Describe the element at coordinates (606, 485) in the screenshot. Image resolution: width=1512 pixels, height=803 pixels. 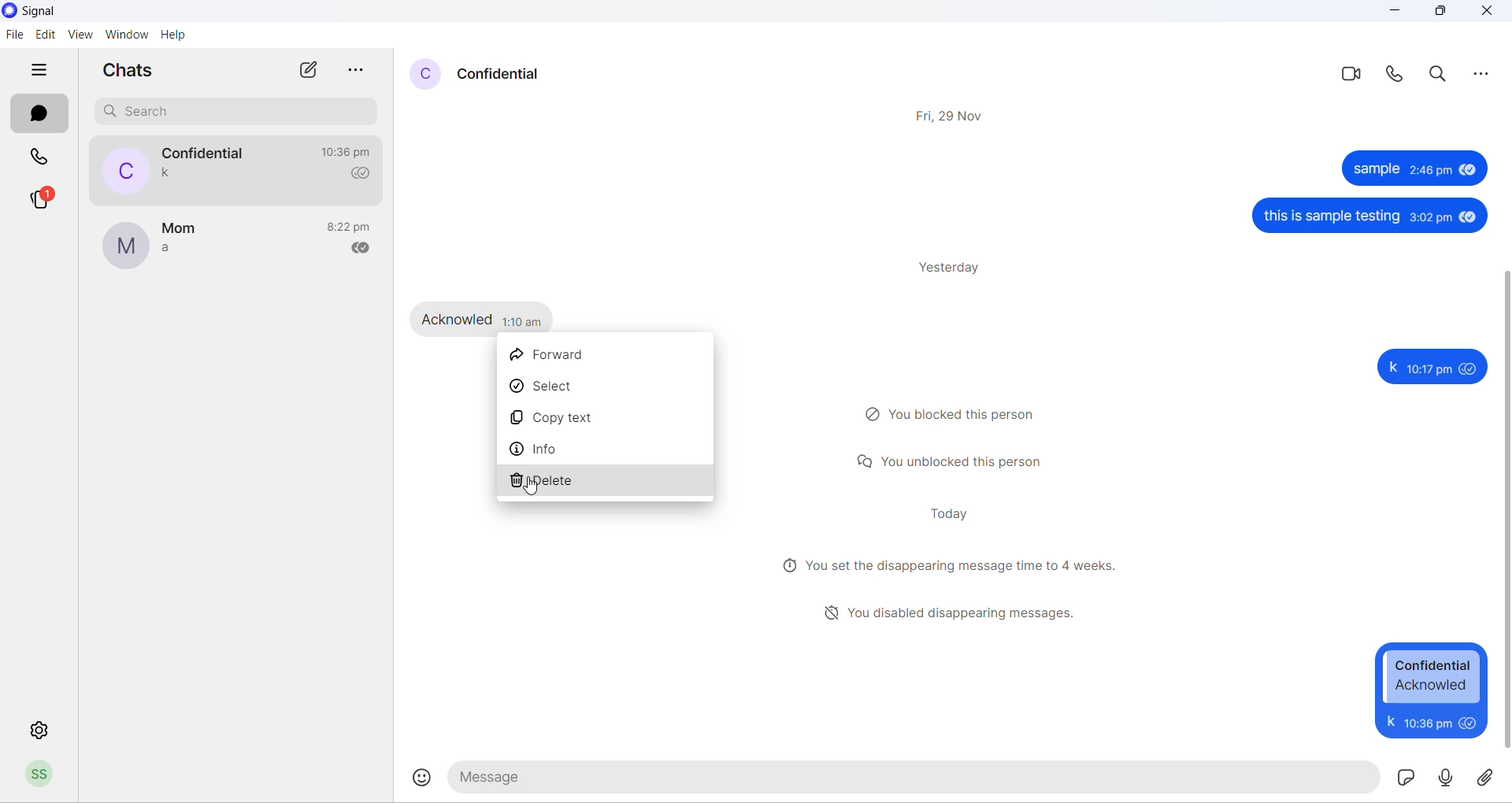
I see `delete` at that location.